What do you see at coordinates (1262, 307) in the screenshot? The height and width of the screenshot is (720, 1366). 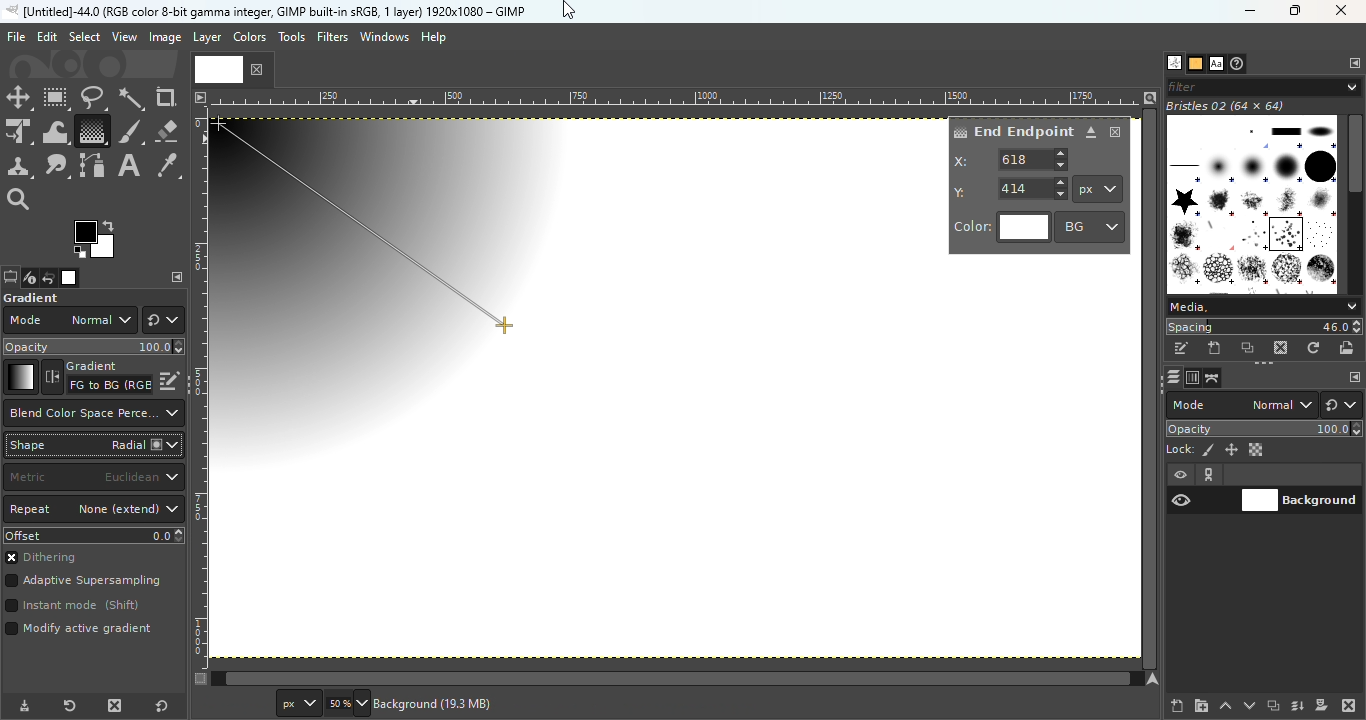 I see `Media` at bounding box center [1262, 307].